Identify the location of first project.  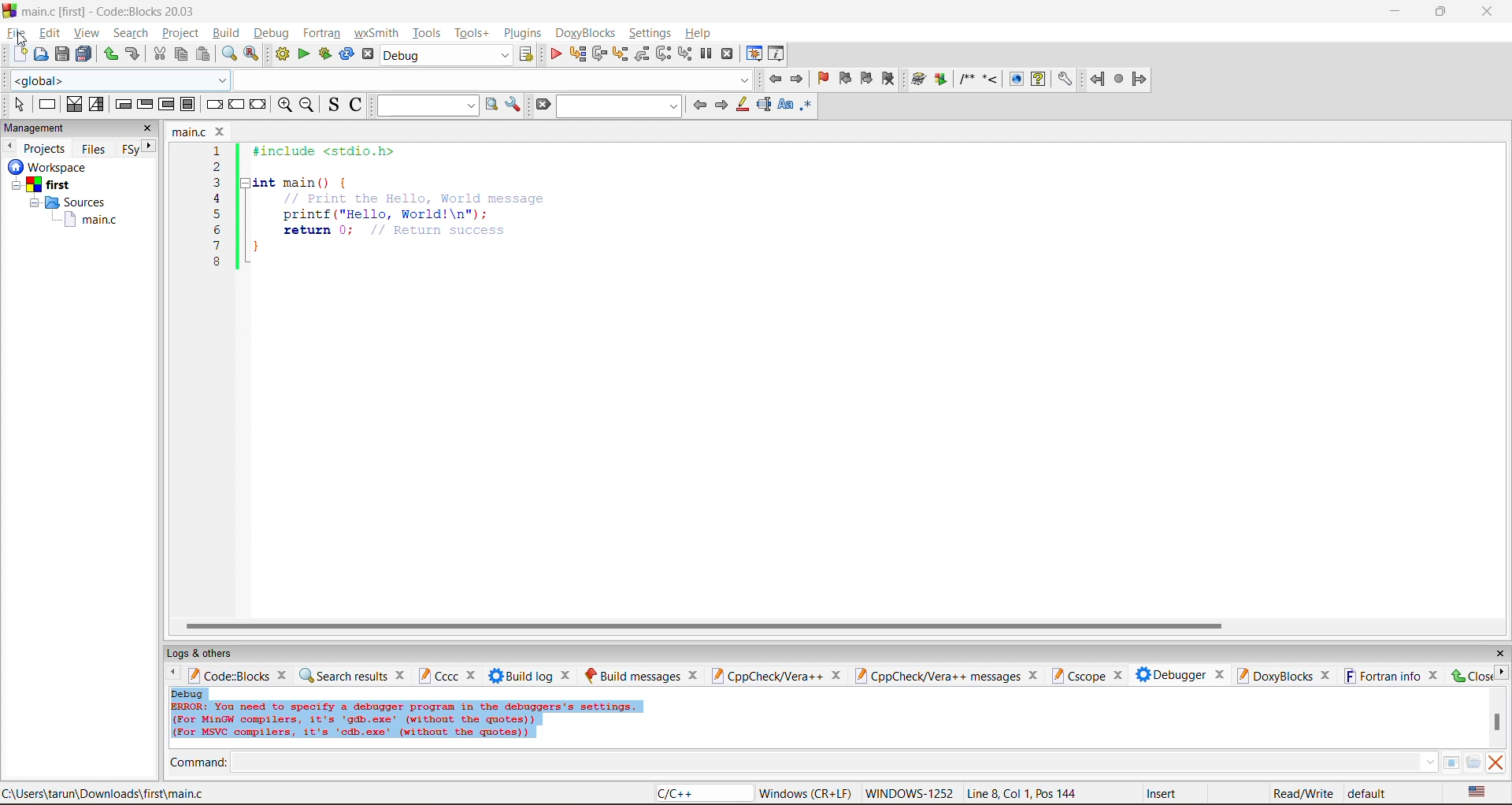
(43, 185).